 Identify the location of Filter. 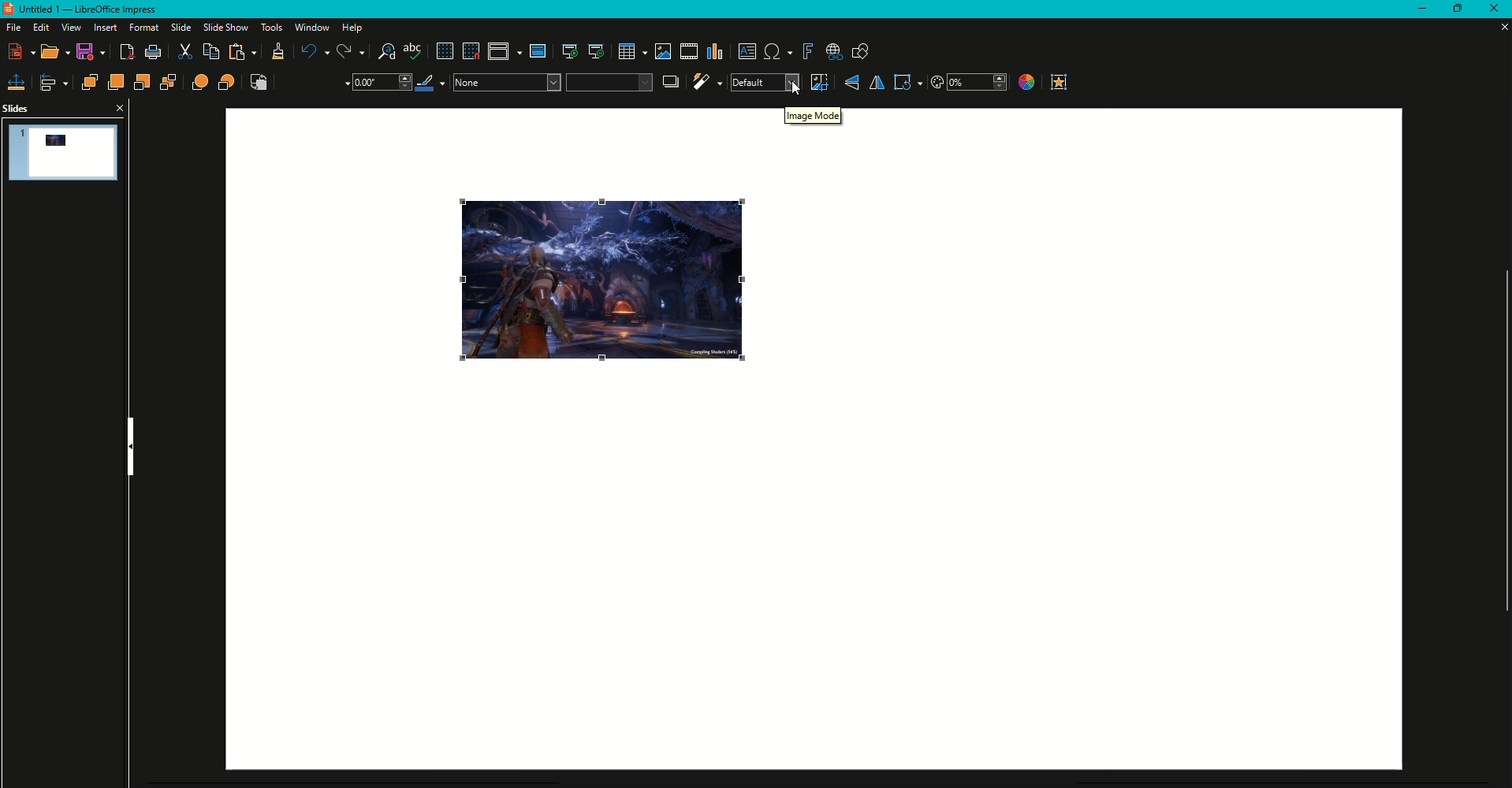
(706, 82).